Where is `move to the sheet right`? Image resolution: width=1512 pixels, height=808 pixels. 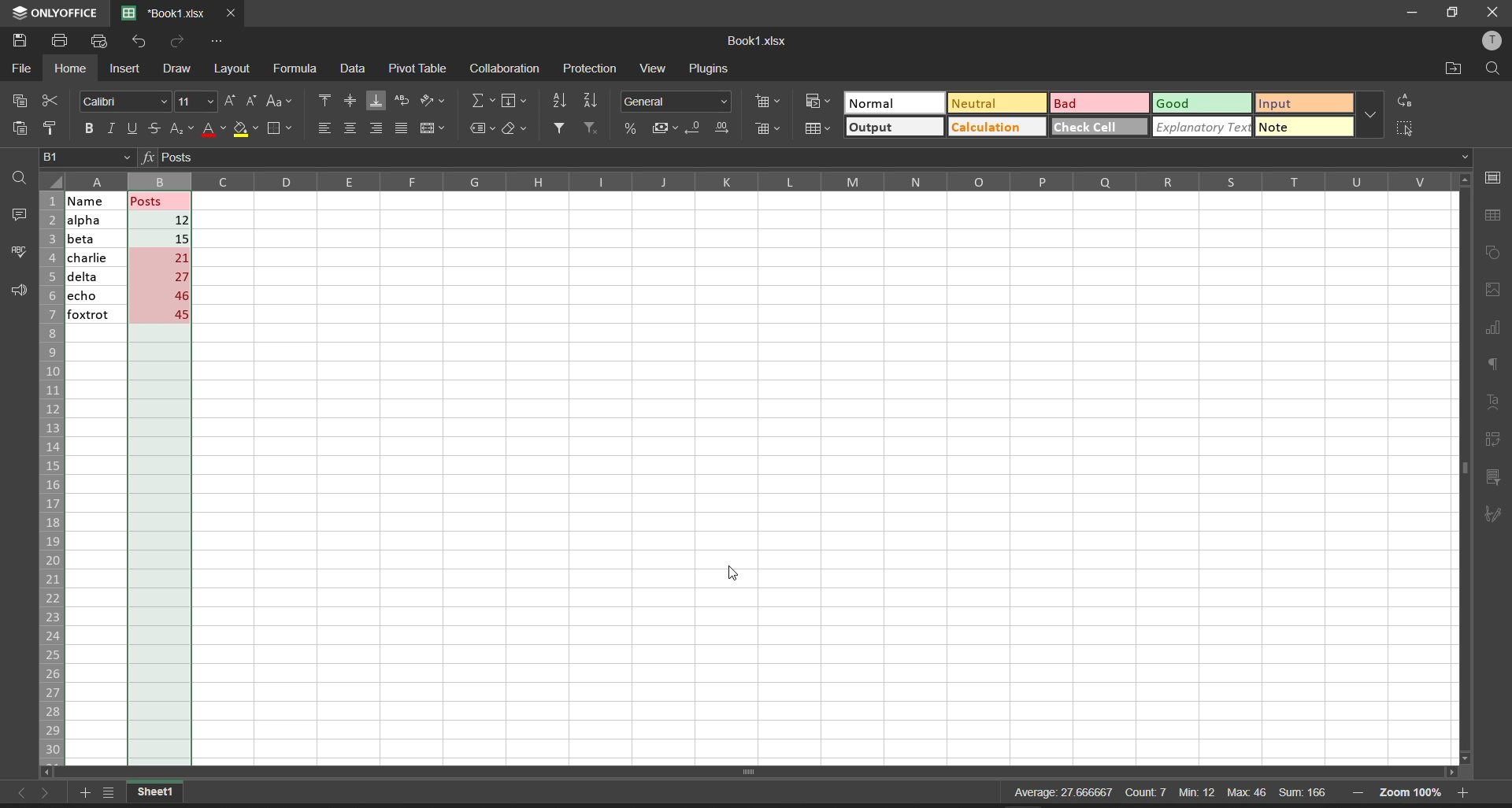
move to the sheet right is located at coordinates (46, 791).